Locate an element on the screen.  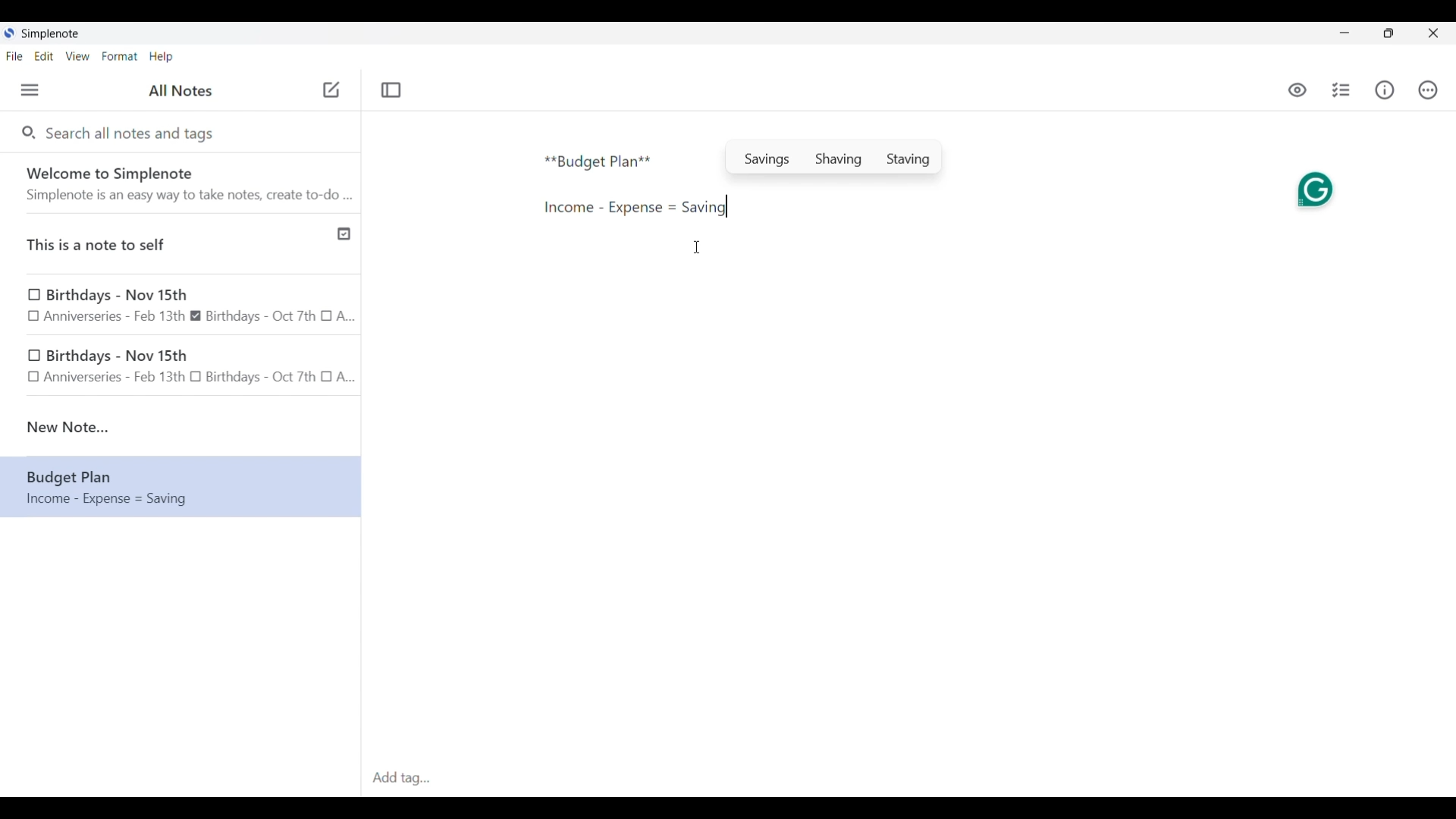
Grammarly extension activated is located at coordinates (1313, 189).